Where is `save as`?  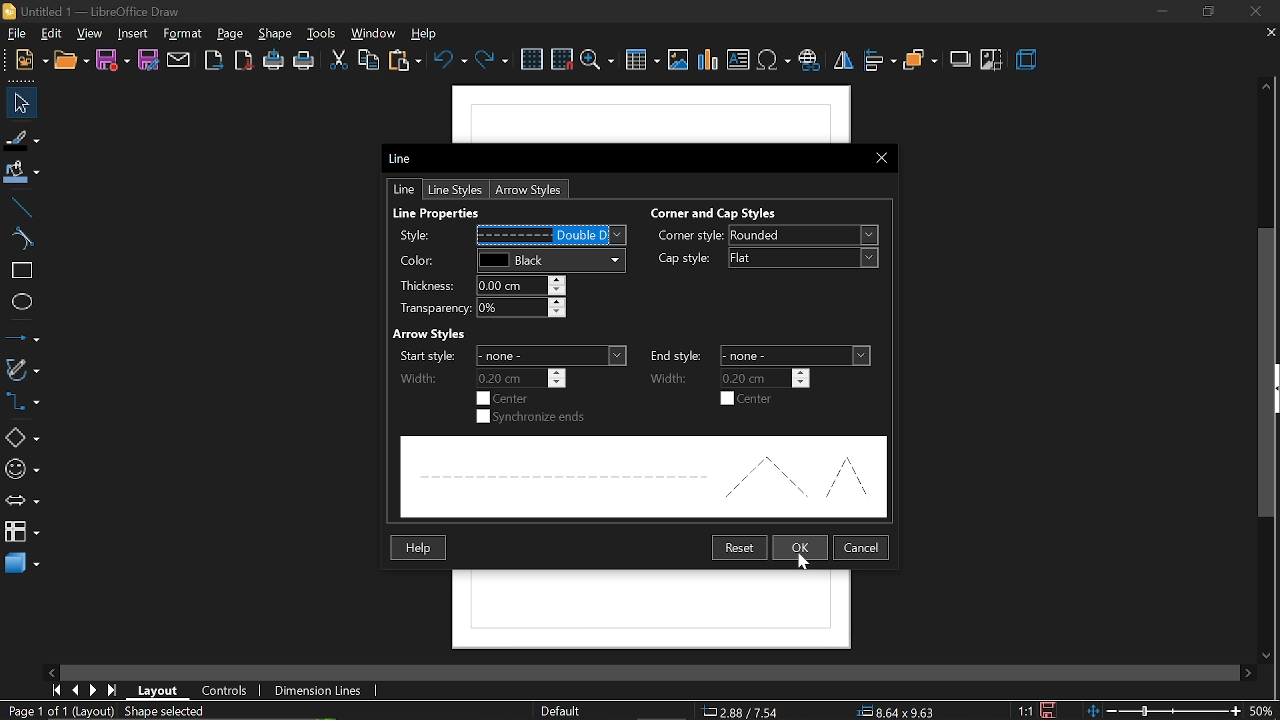 save as is located at coordinates (148, 62).